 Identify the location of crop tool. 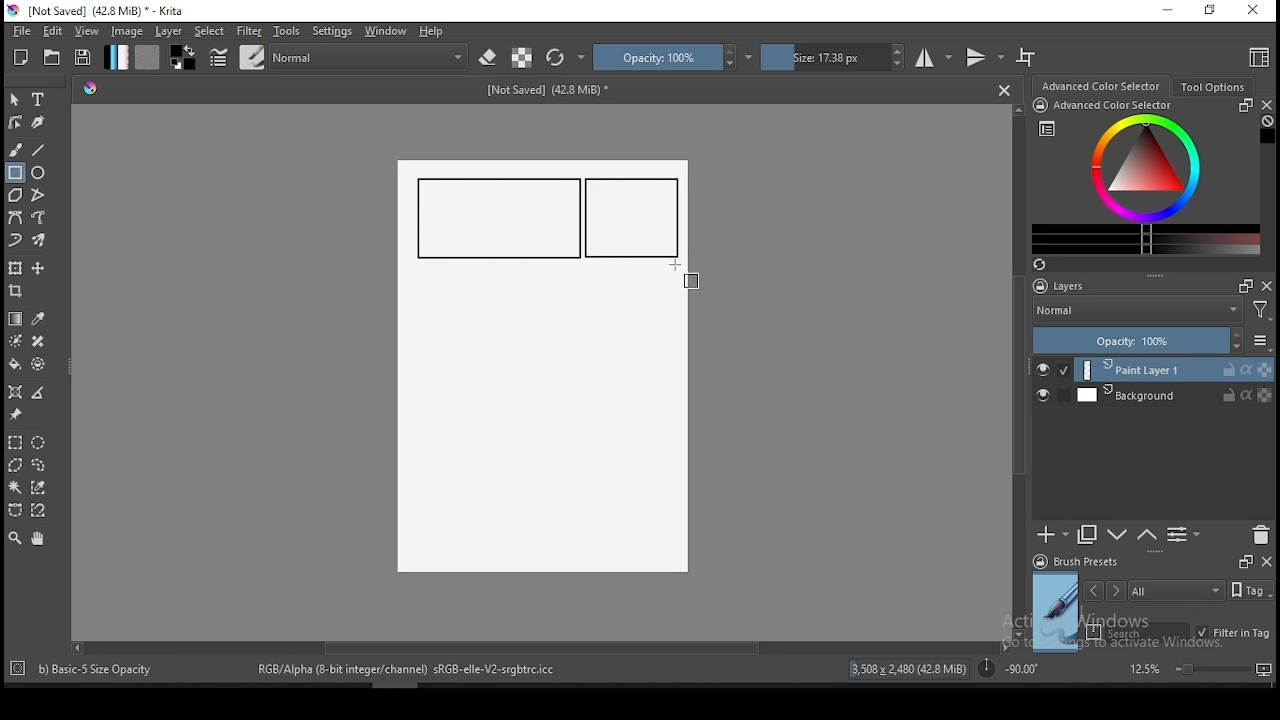
(18, 293).